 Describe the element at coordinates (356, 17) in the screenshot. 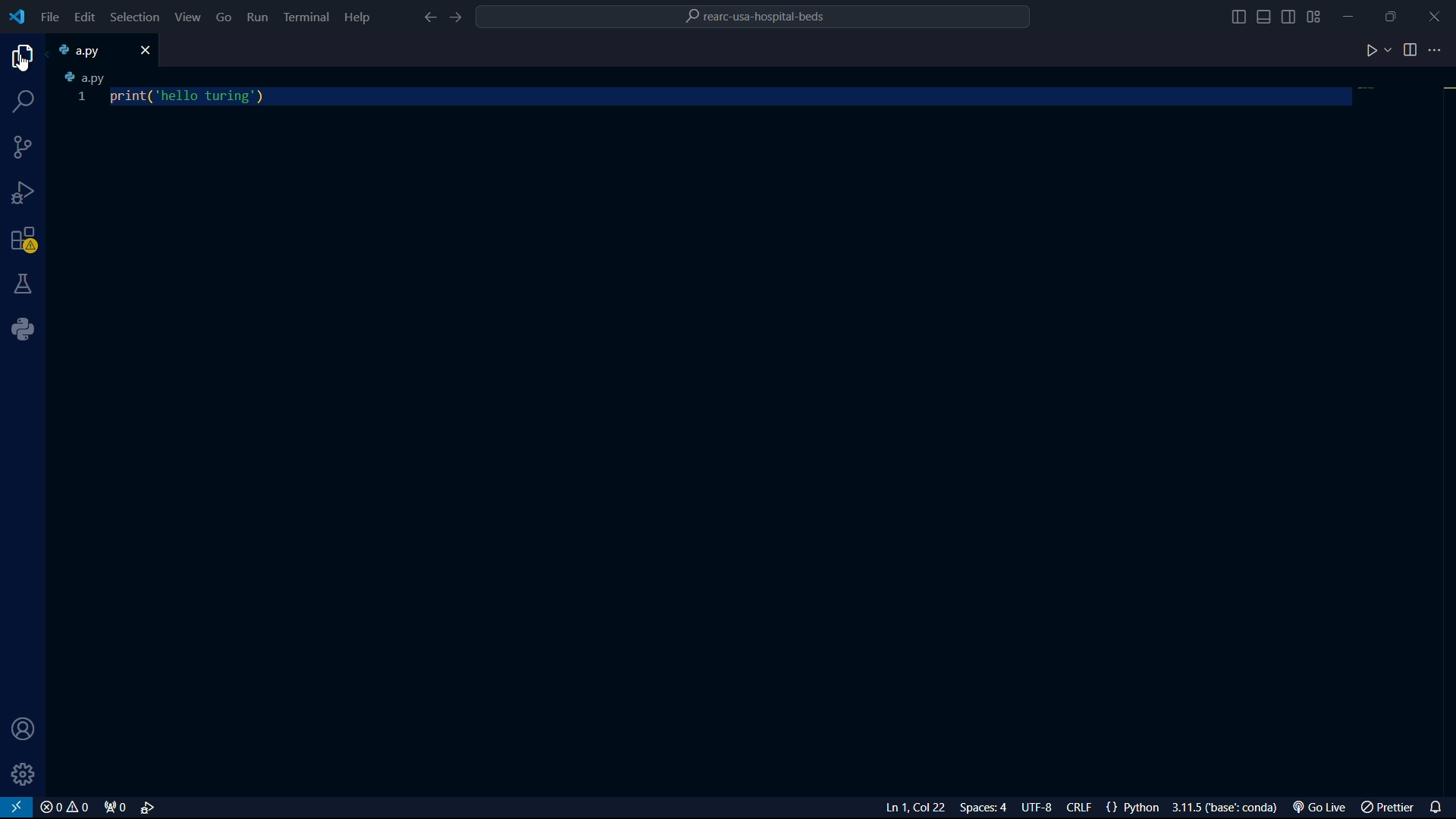

I see `help menu` at that location.